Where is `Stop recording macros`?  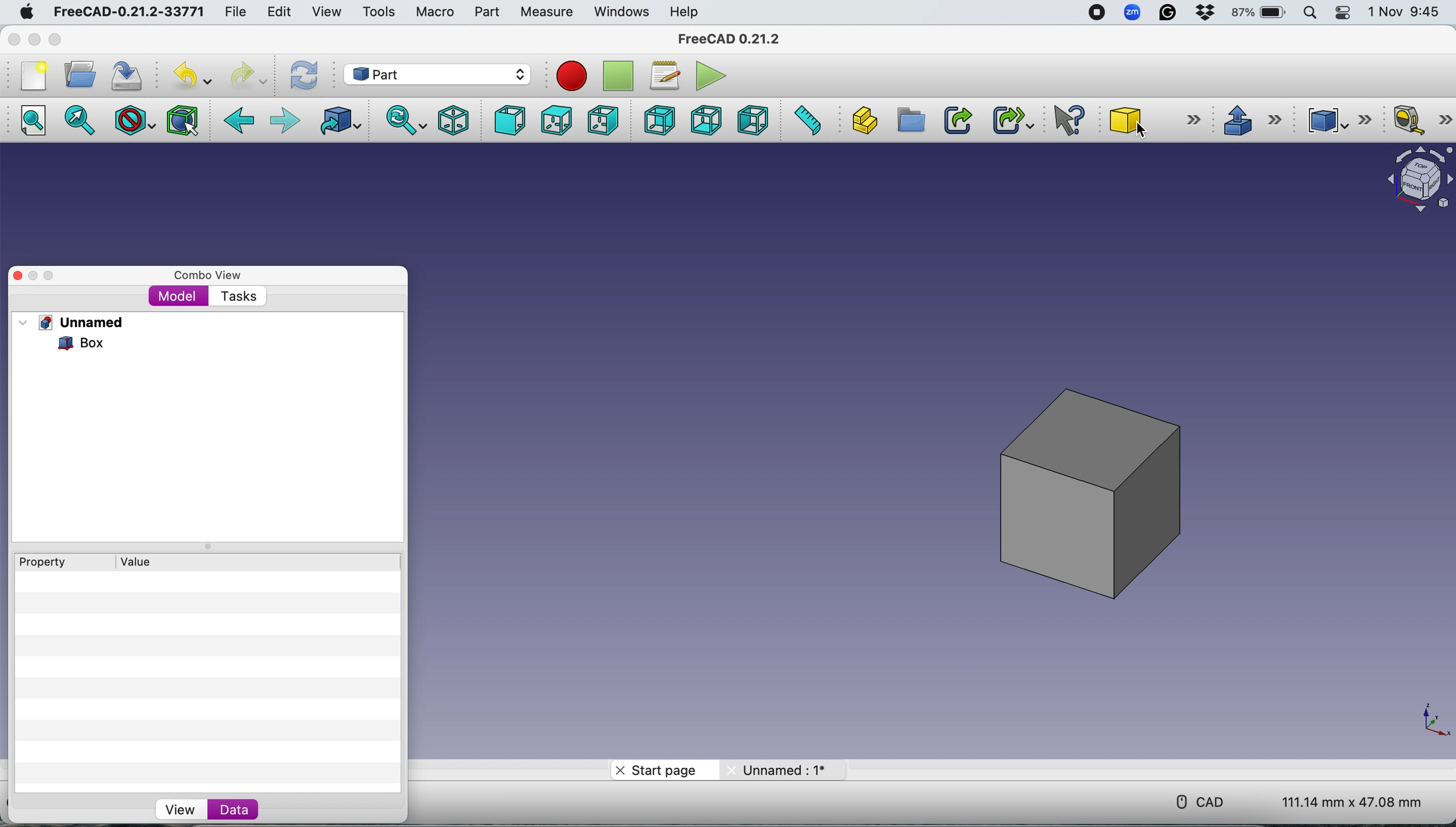
Stop recording macros is located at coordinates (620, 76).